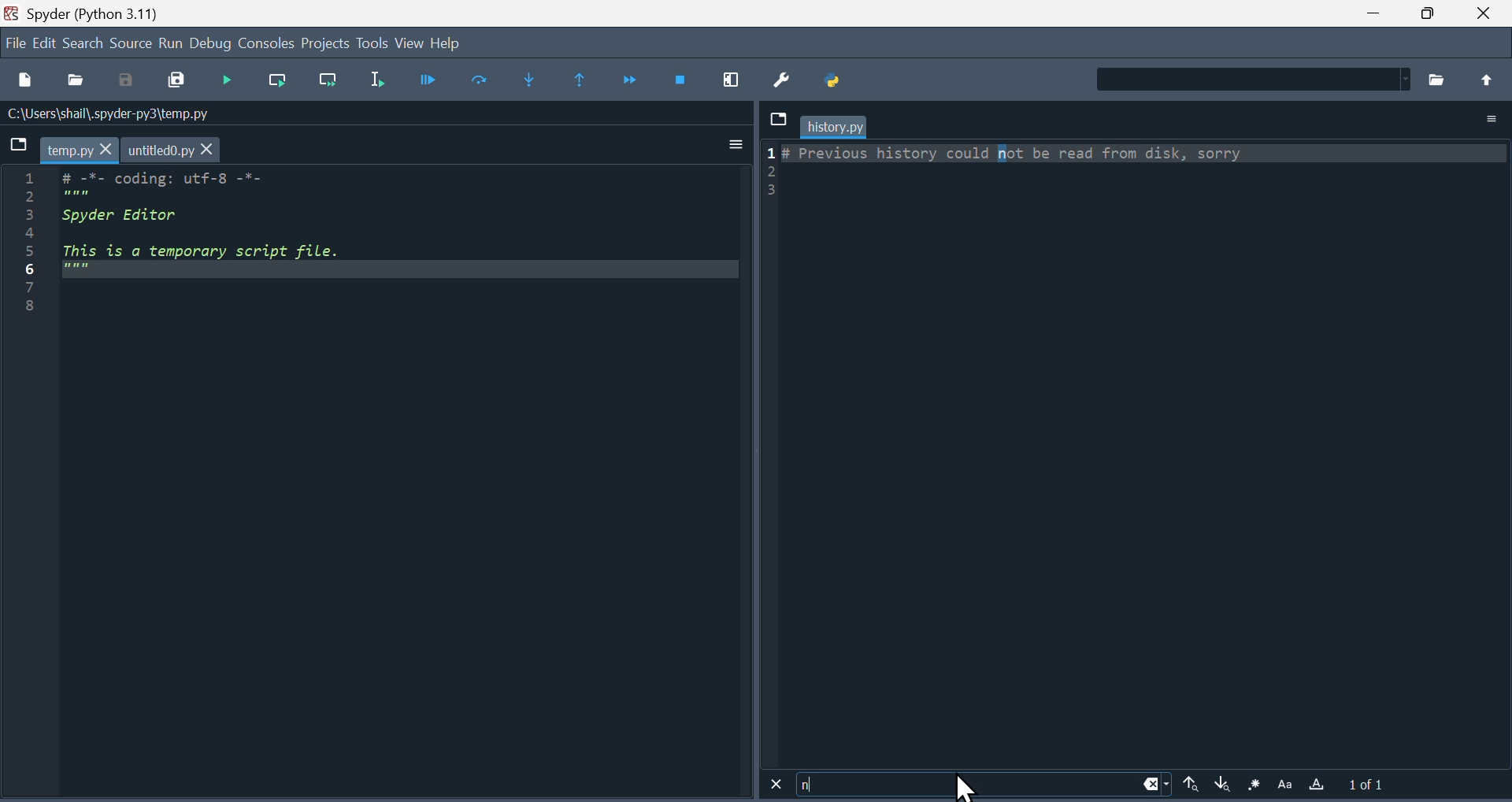 The width and height of the screenshot is (1512, 802). I want to click on L #7 FPEVIOUS Nistory could not De read Trom daisk, sorry, so click(1024, 154).